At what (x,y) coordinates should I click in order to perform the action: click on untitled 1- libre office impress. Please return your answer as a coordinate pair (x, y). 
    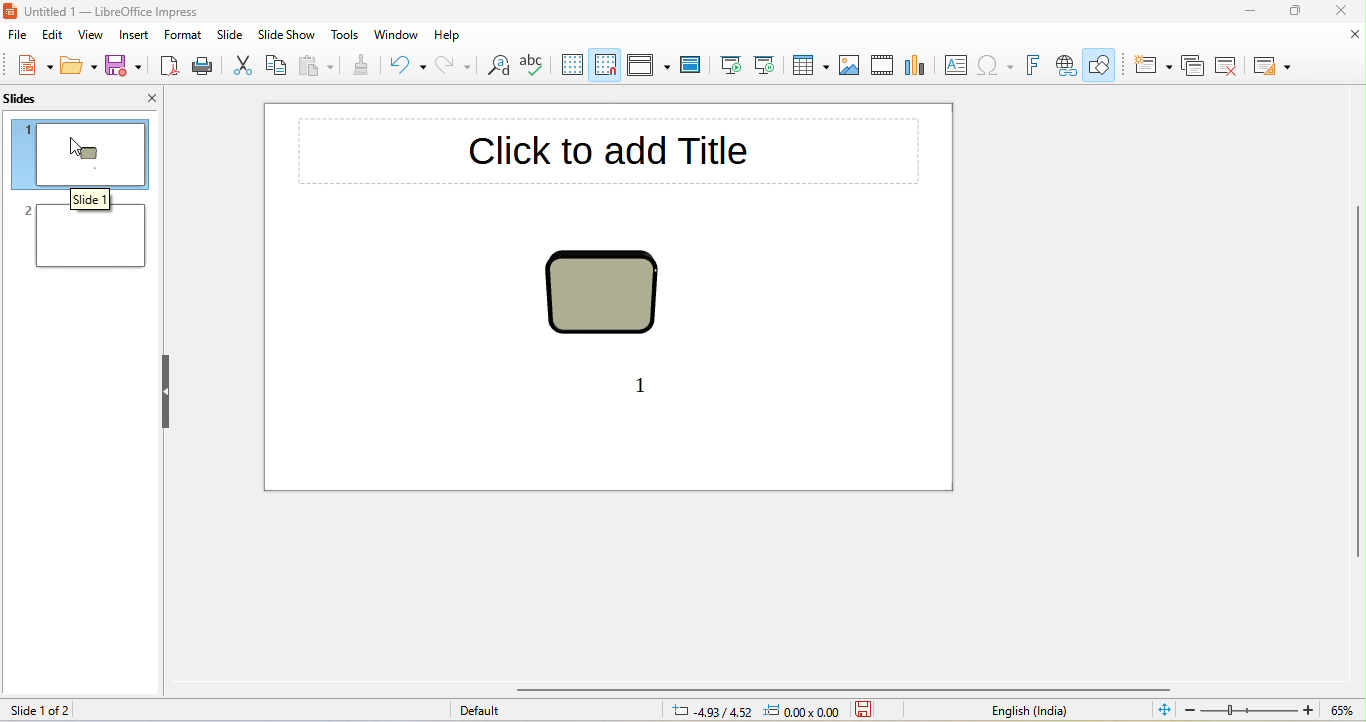
    Looking at the image, I should click on (106, 13).